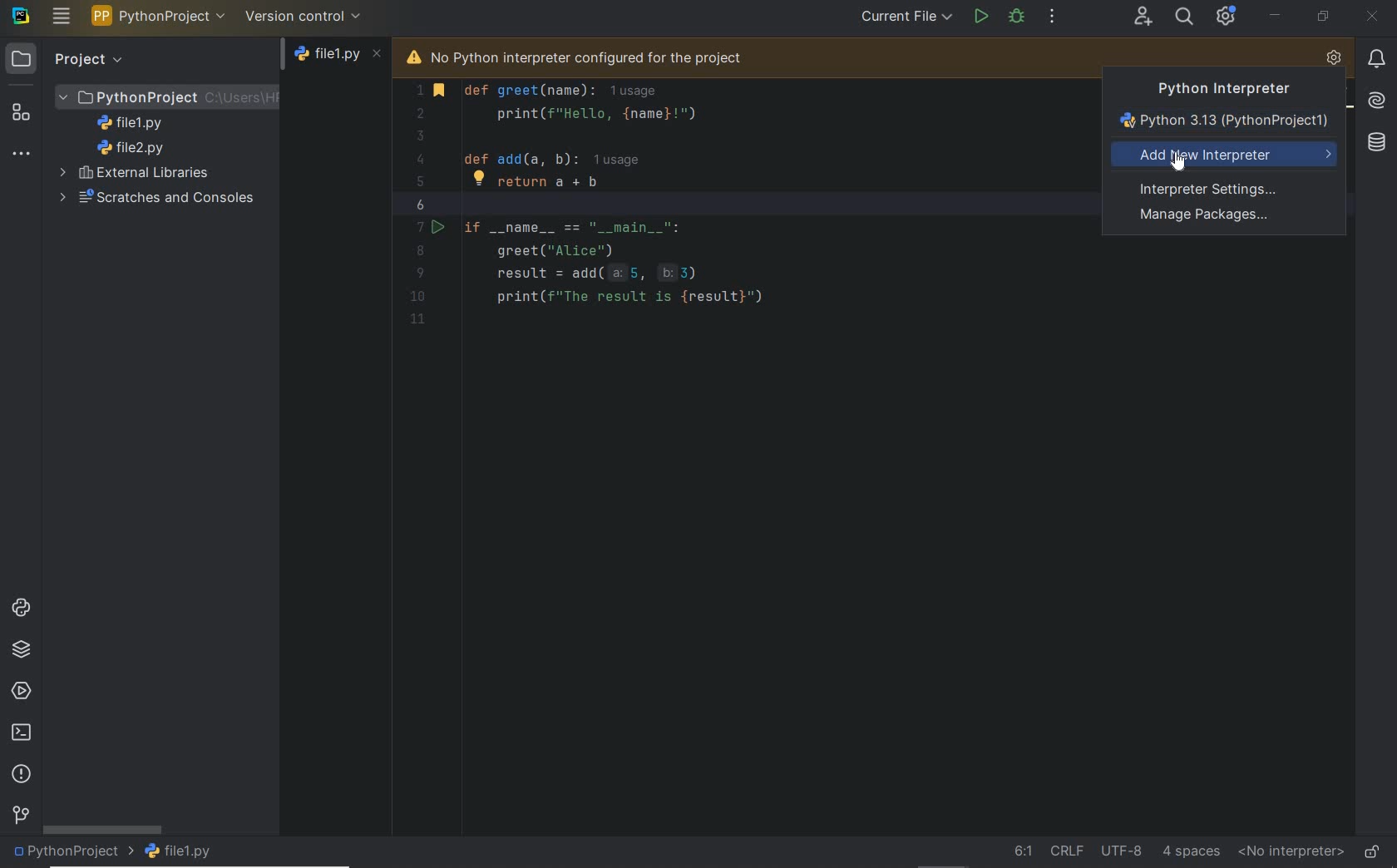  Describe the element at coordinates (19, 607) in the screenshot. I see `python consoles` at that location.